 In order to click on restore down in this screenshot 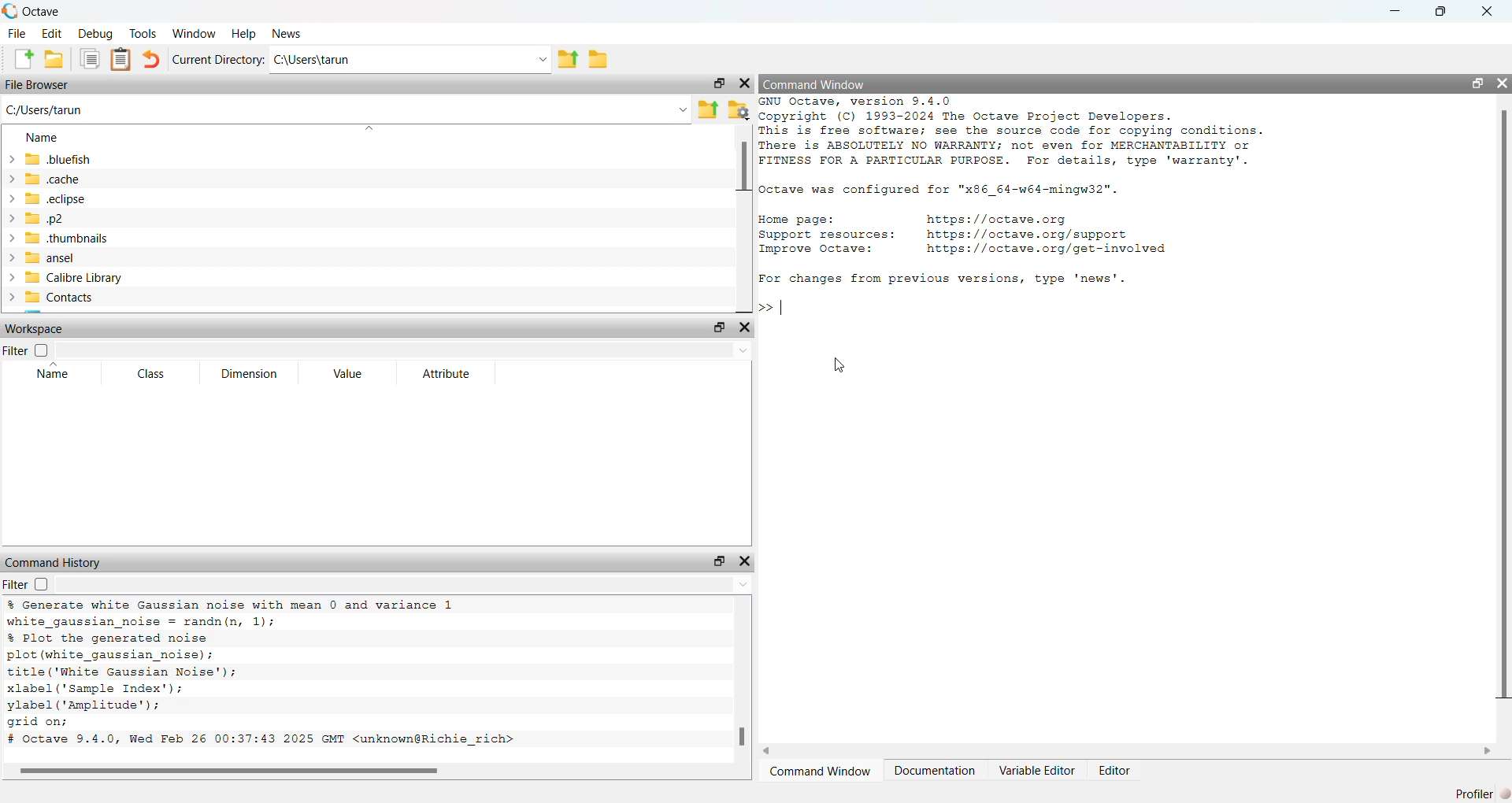, I will do `click(717, 329)`.